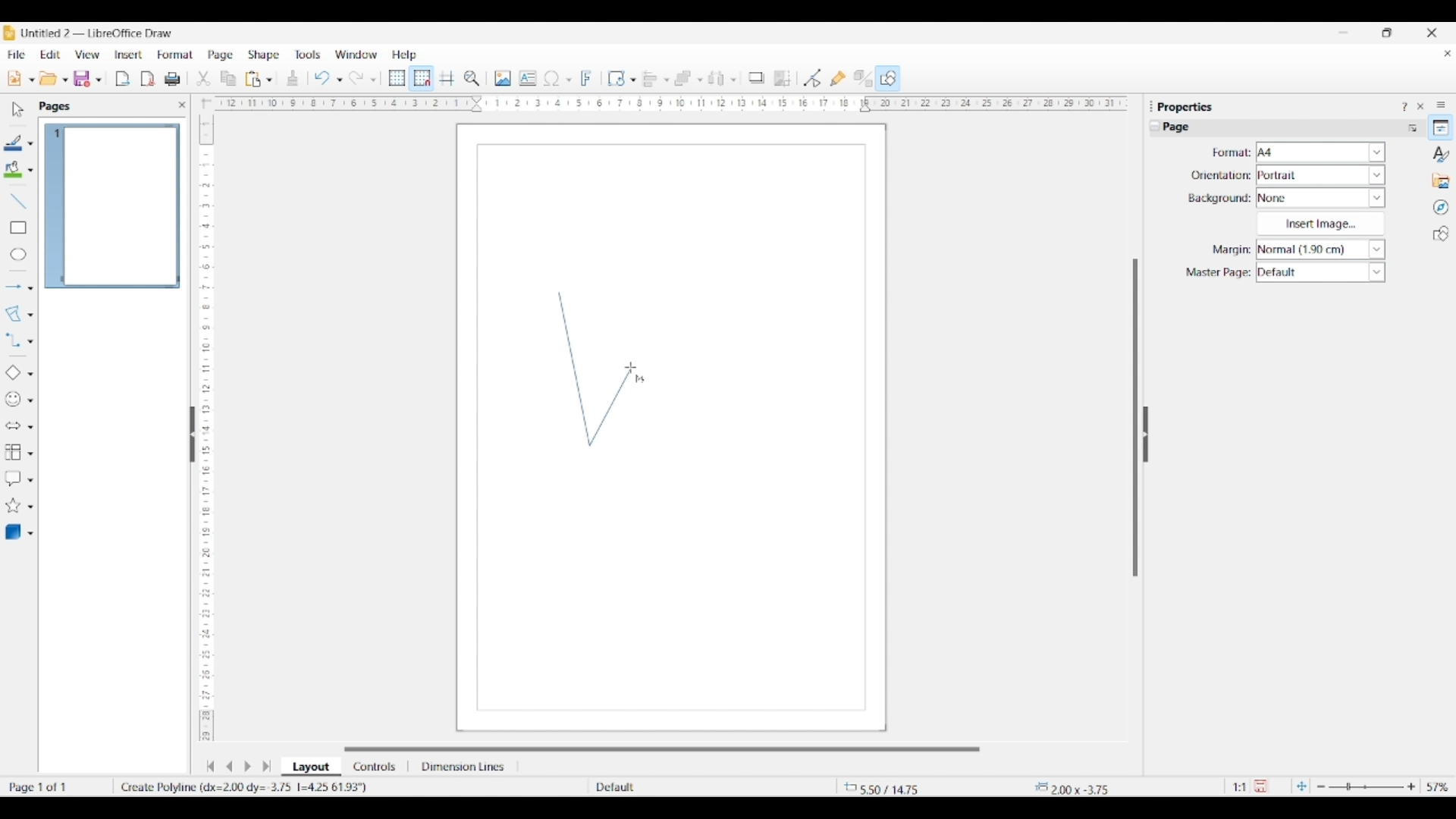  Describe the element at coordinates (1321, 174) in the screenshot. I see `Orientation options` at that location.